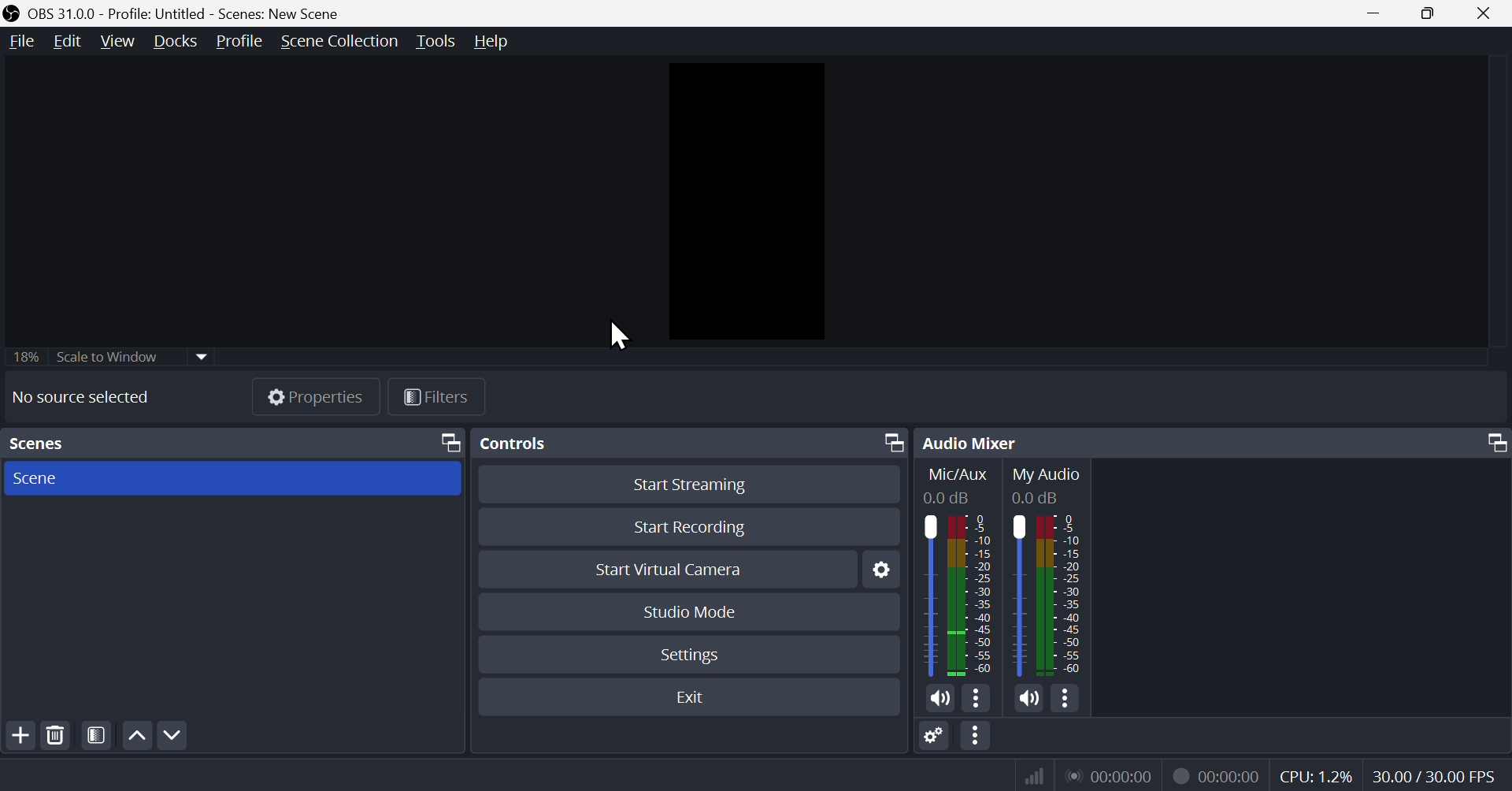 This screenshot has width=1512, height=791. I want to click on Down, so click(171, 733).